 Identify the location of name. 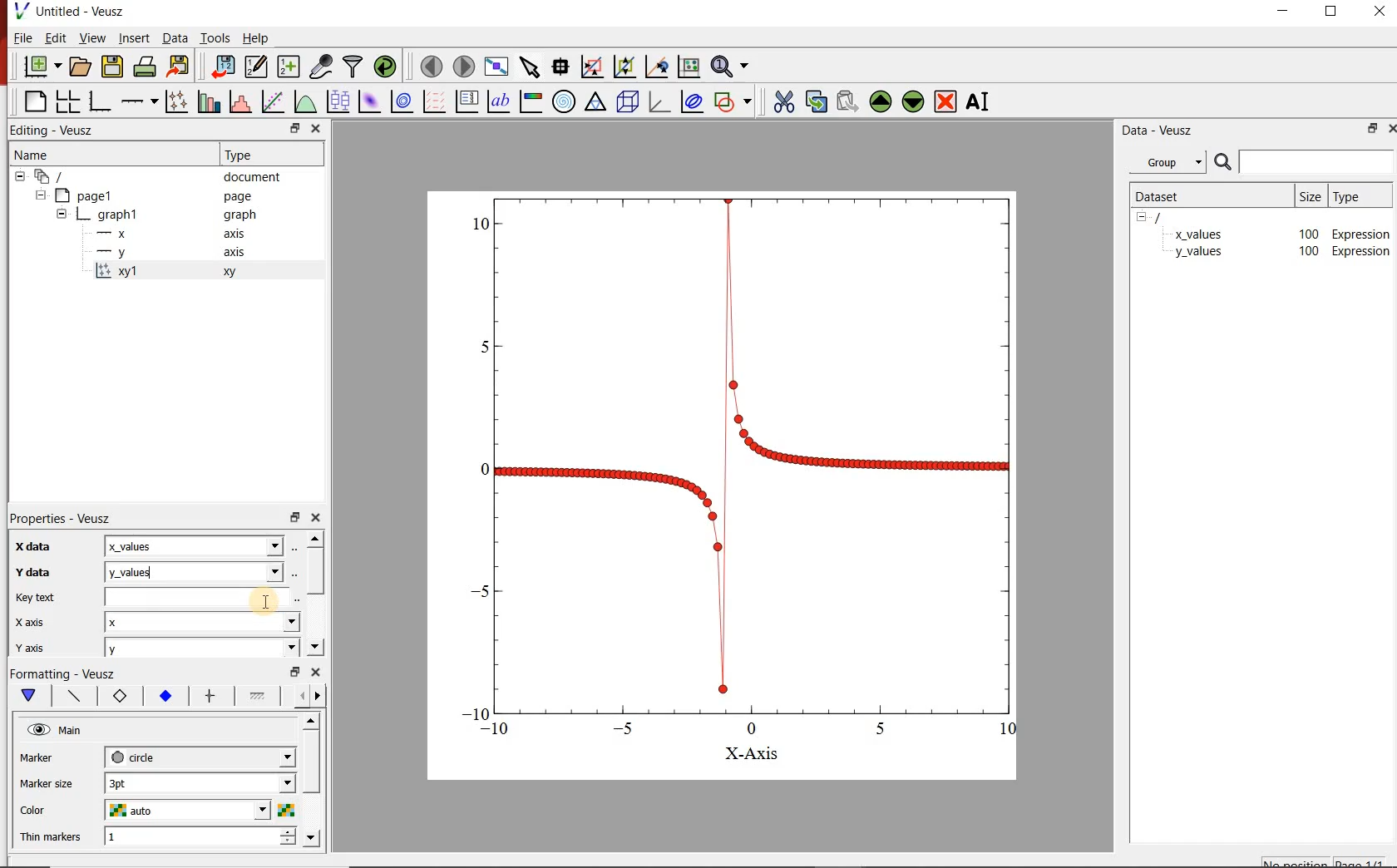
(33, 156).